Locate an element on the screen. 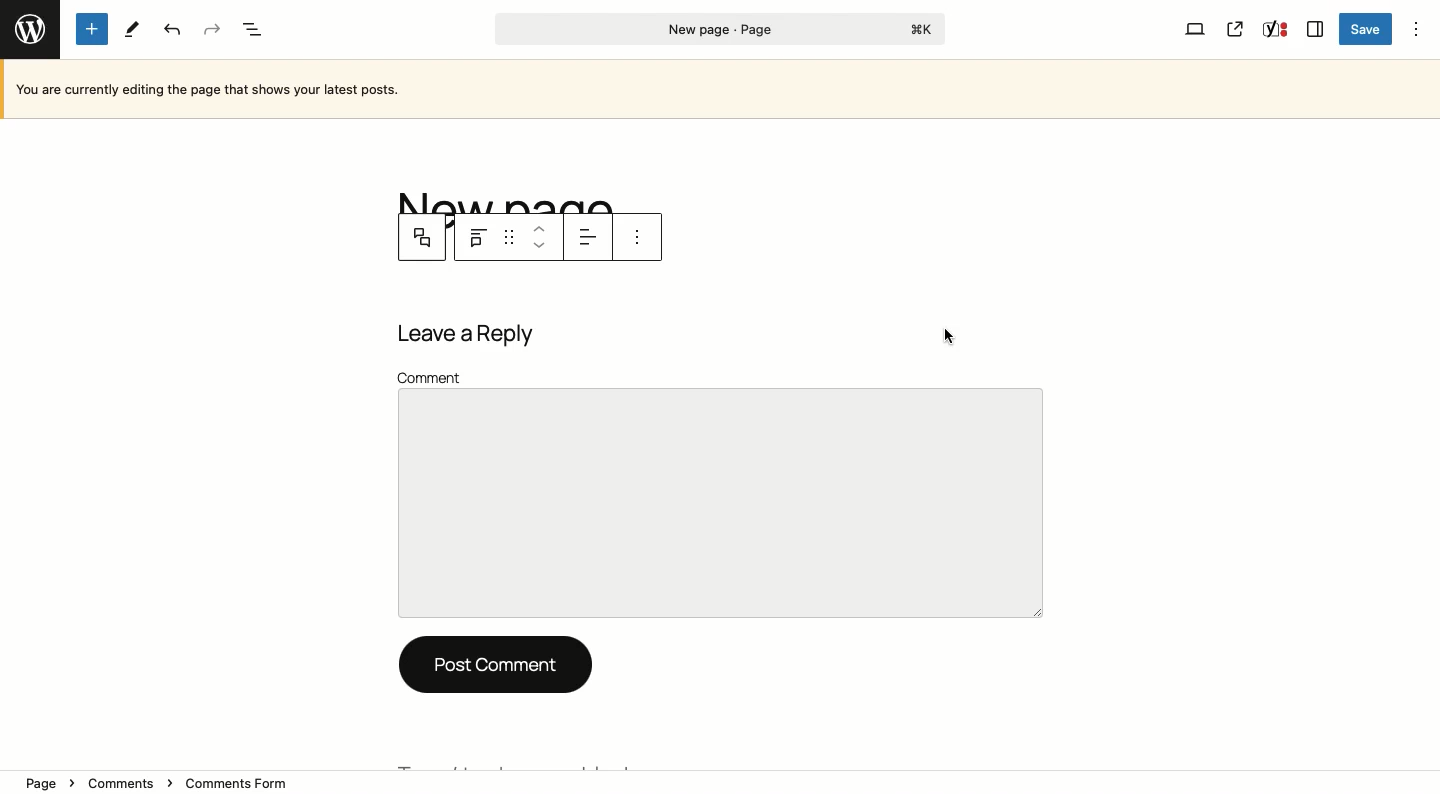 The image size is (1440, 794). Currently editing the page that shows your latest posts is located at coordinates (214, 91).